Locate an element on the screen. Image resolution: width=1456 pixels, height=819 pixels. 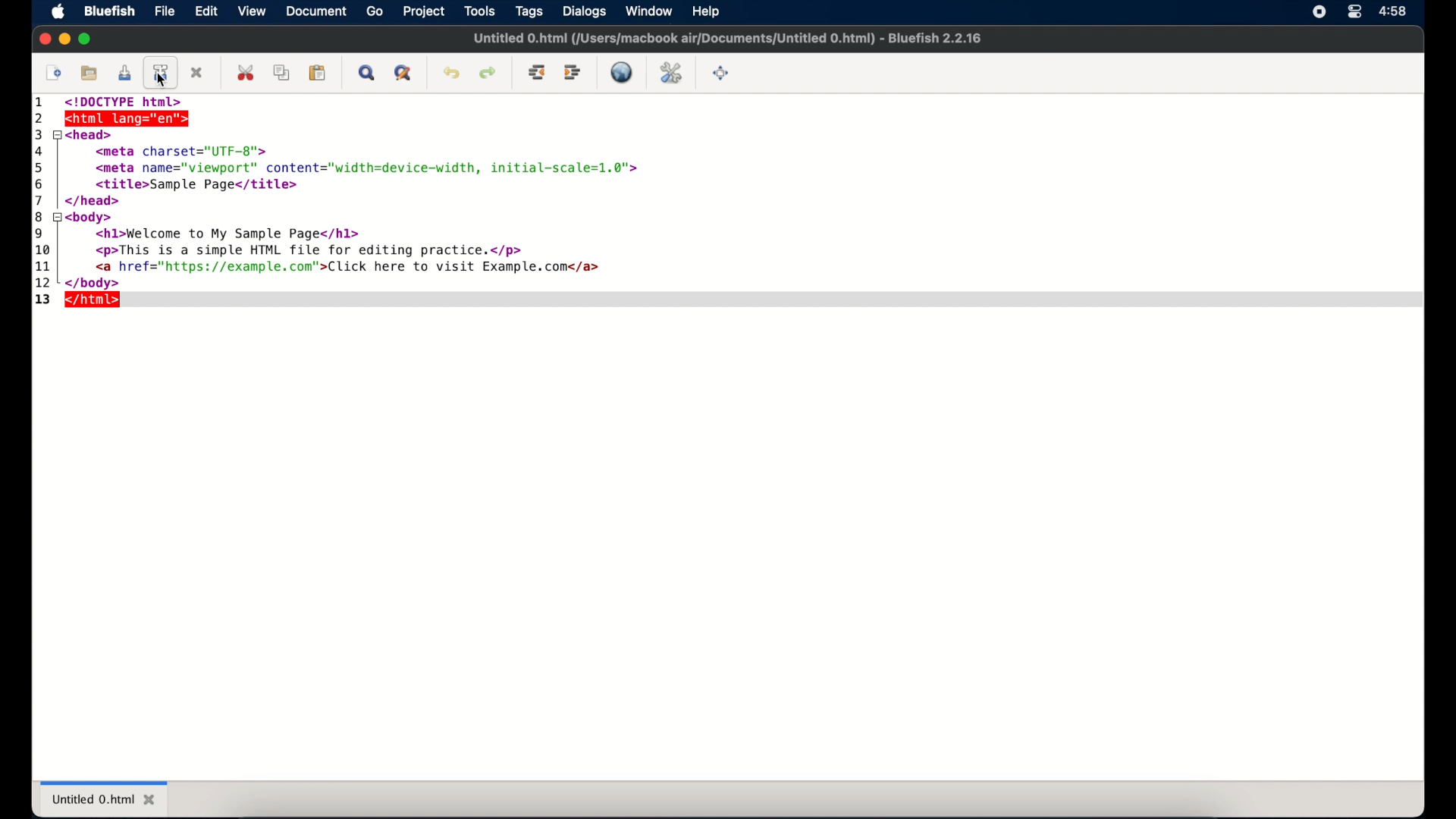
tags is located at coordinates (530, 12).